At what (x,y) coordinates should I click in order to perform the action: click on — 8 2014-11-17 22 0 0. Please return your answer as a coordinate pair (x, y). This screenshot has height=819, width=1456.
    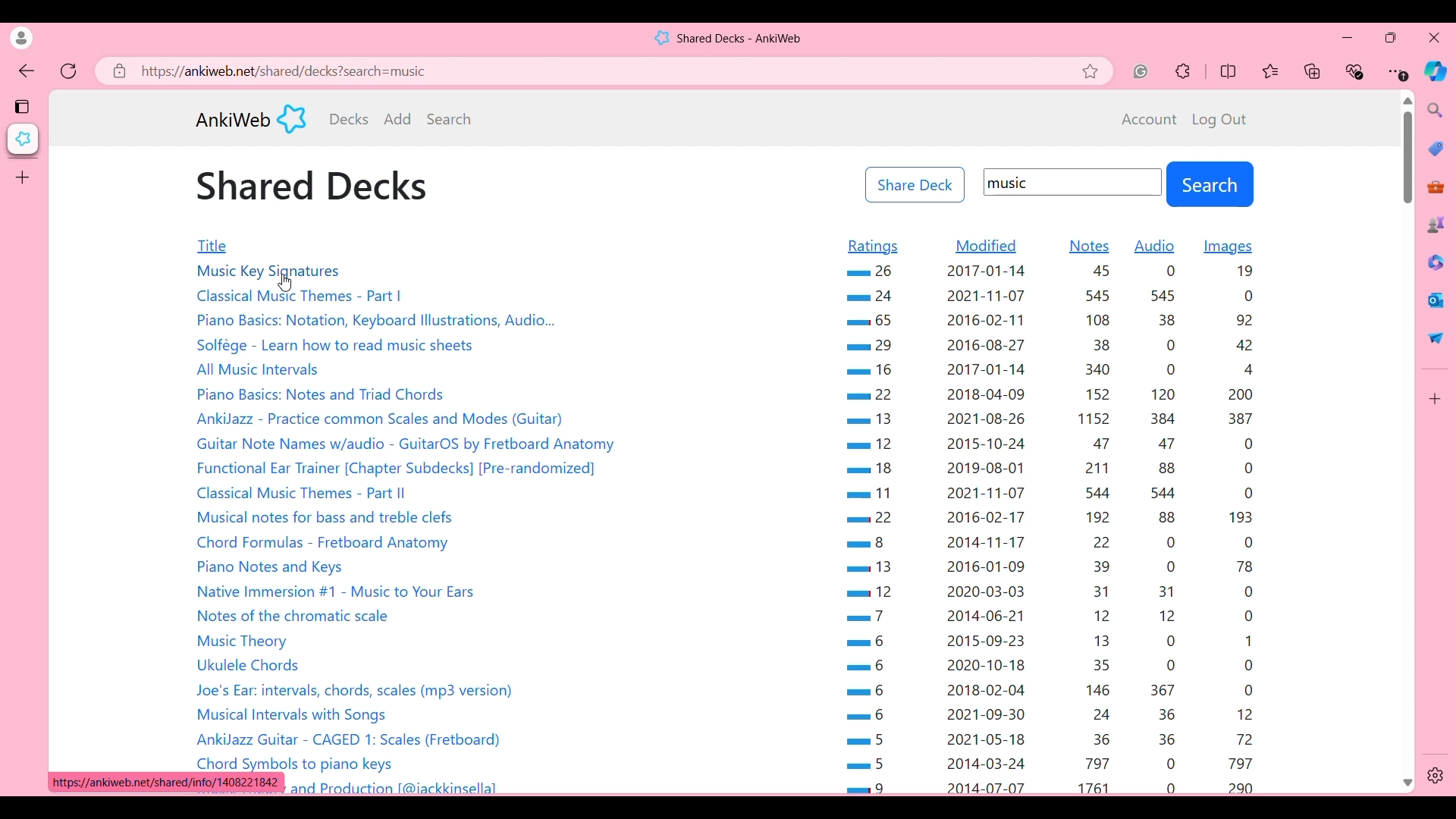
    Looking at the image, I should click on (1054, 541).